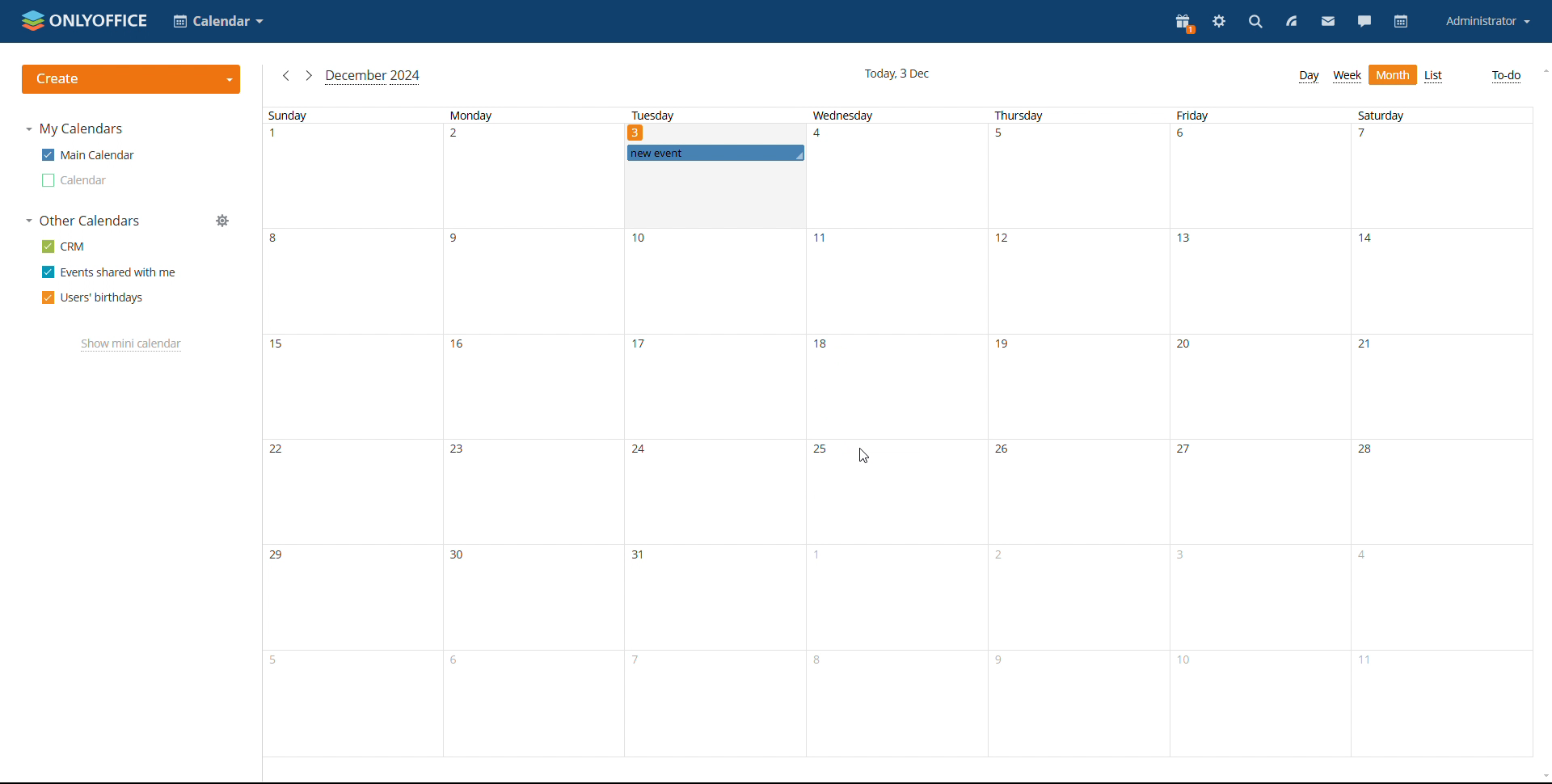 The image size is (1552, 784). Describe the element at coordinates (712, 154) in the screenshot. I see `event added` at that location.